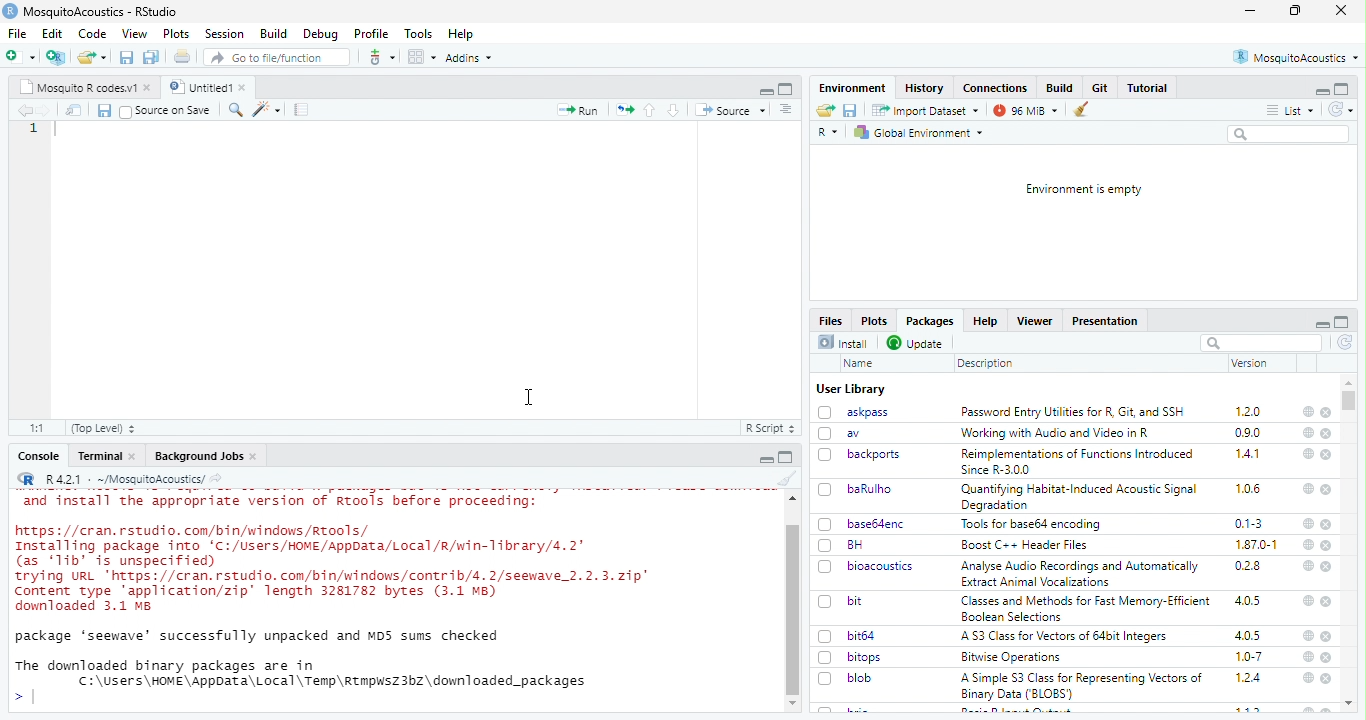 This screenshot has height=720, width=1366. I want to click on Session, so click(226, 34).